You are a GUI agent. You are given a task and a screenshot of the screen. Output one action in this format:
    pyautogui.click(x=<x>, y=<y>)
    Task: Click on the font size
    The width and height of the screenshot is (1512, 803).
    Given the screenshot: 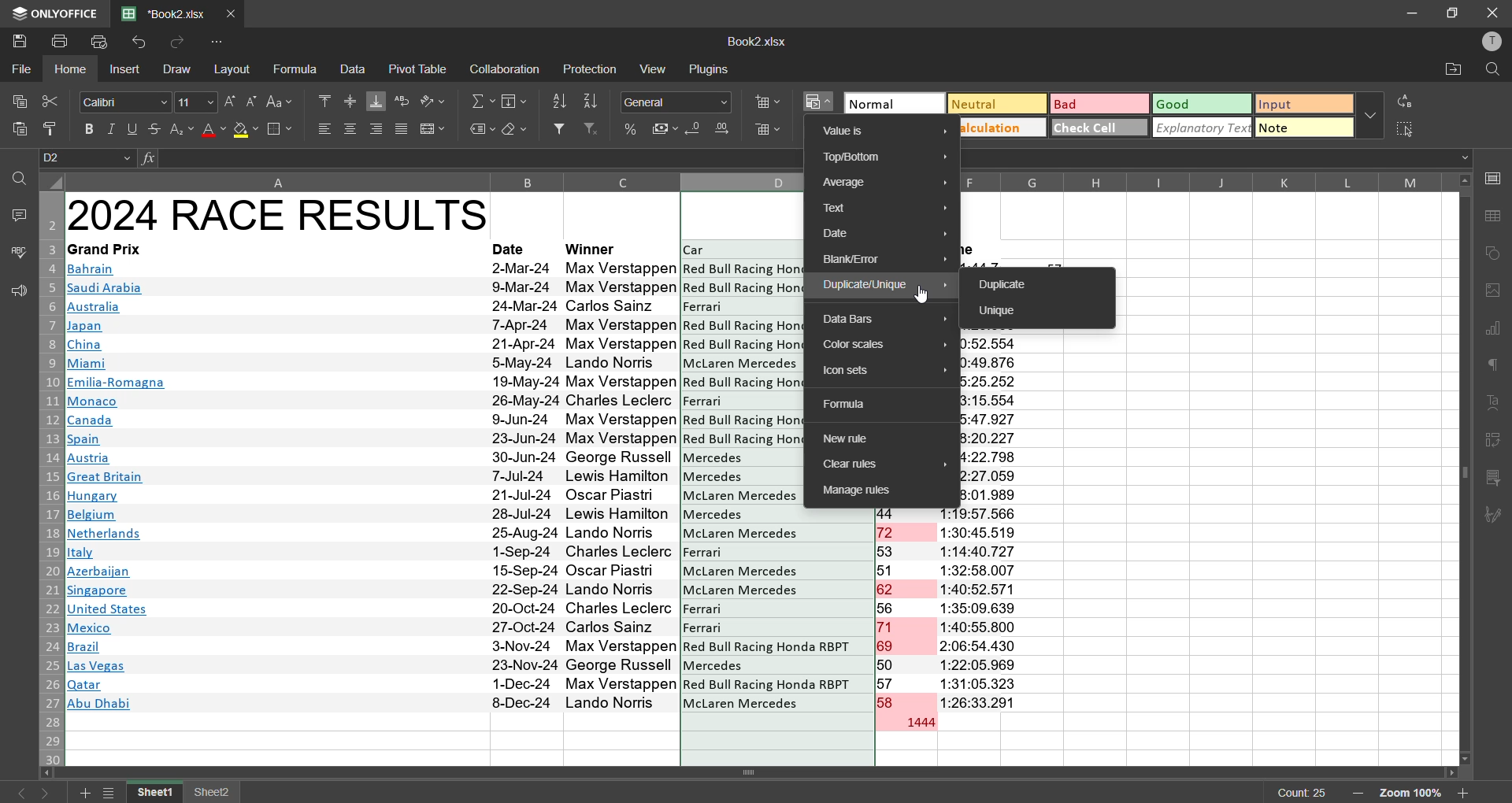 What is the action you would take?
    pyautogui.click(x=194, y=101)
    